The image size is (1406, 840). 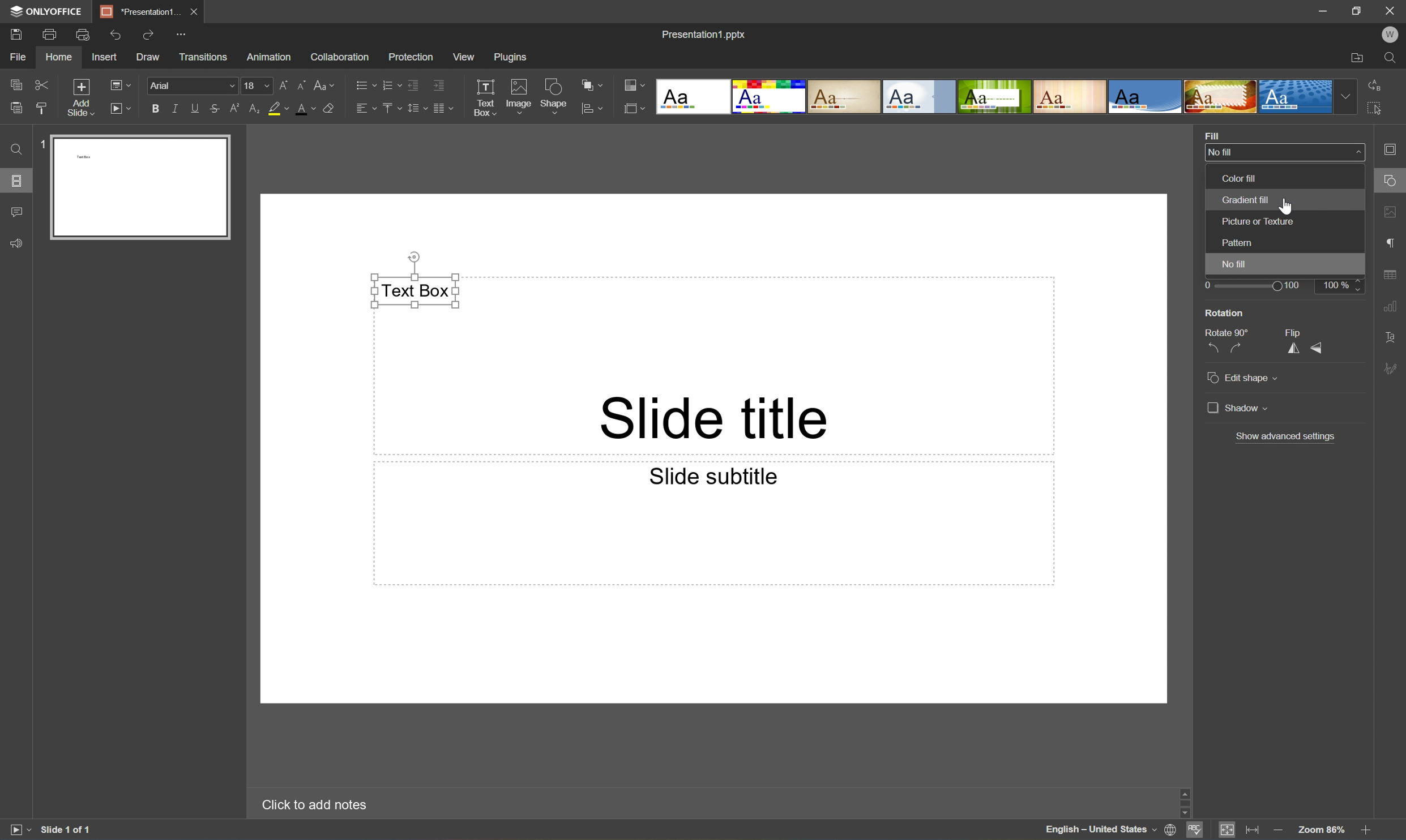 I want to click on Fill, so click(x=1208, y=134).